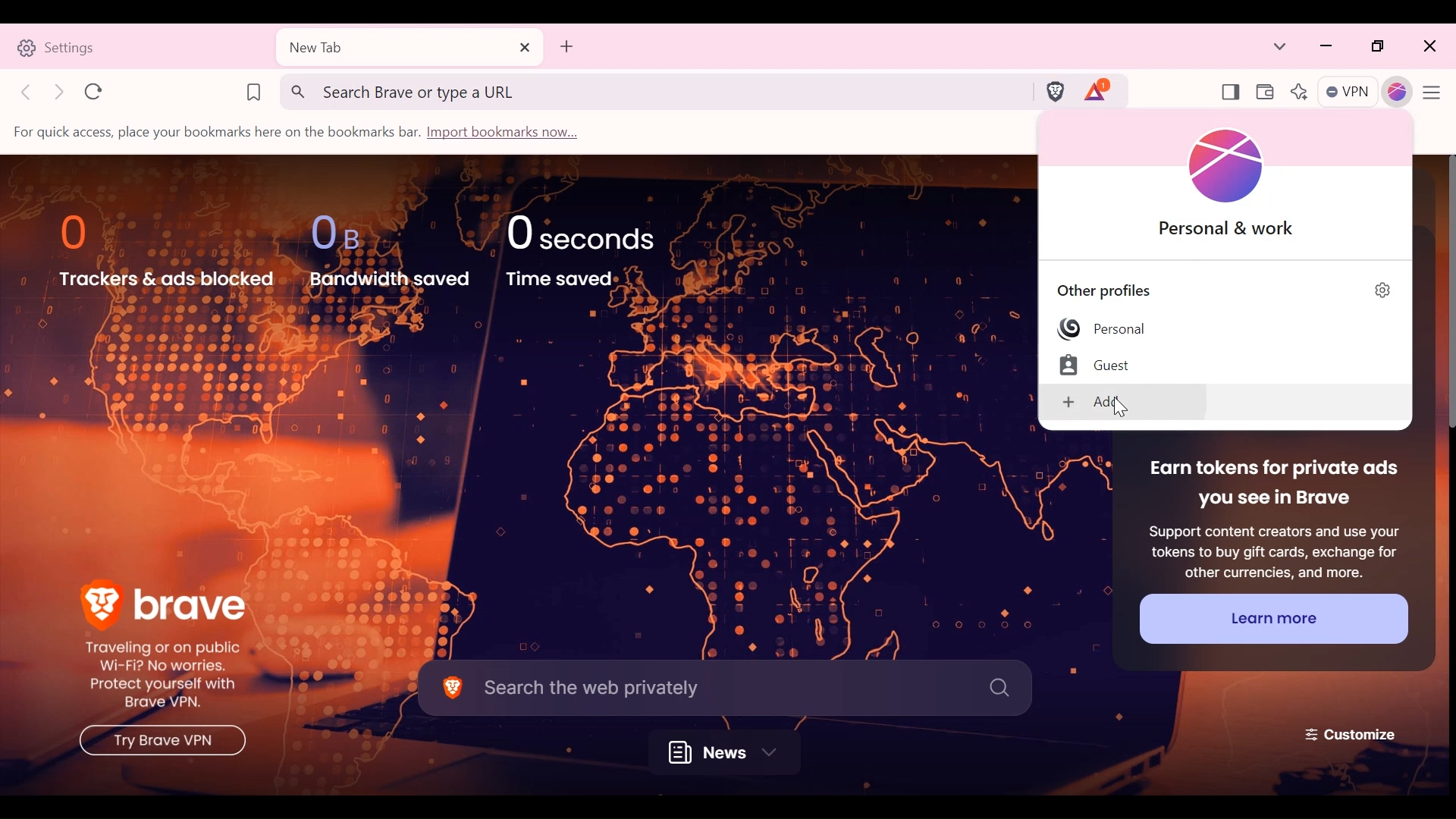 Image resolution: width=1456 pixels, height=819 pixels. I want to click on Brave Shield, so click(1054, 90).